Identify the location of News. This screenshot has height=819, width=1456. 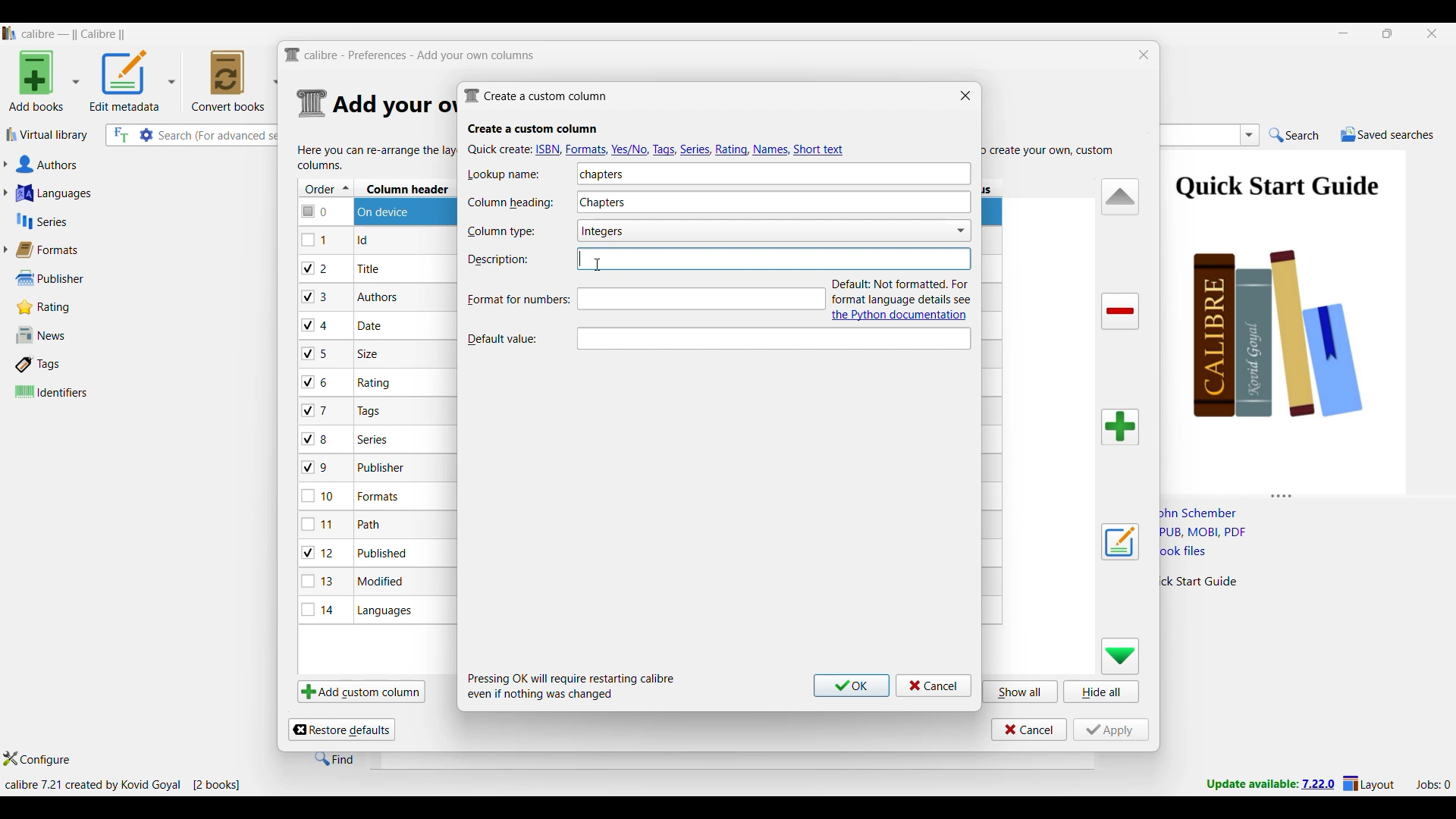
(71, 335).